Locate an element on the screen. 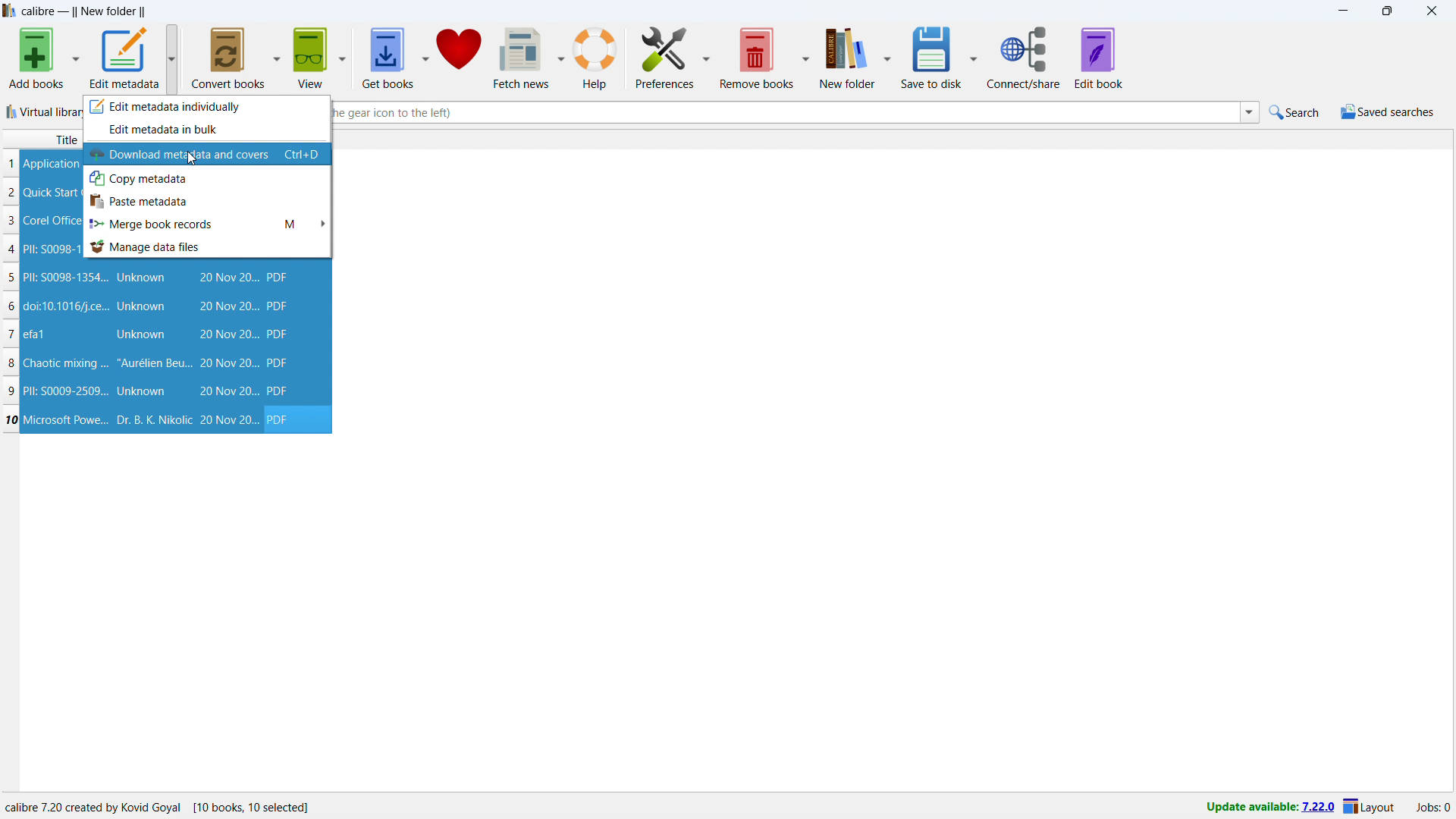 The image size is (1456, 819). 20 Nov 20... is located at coordinates (227, 391).